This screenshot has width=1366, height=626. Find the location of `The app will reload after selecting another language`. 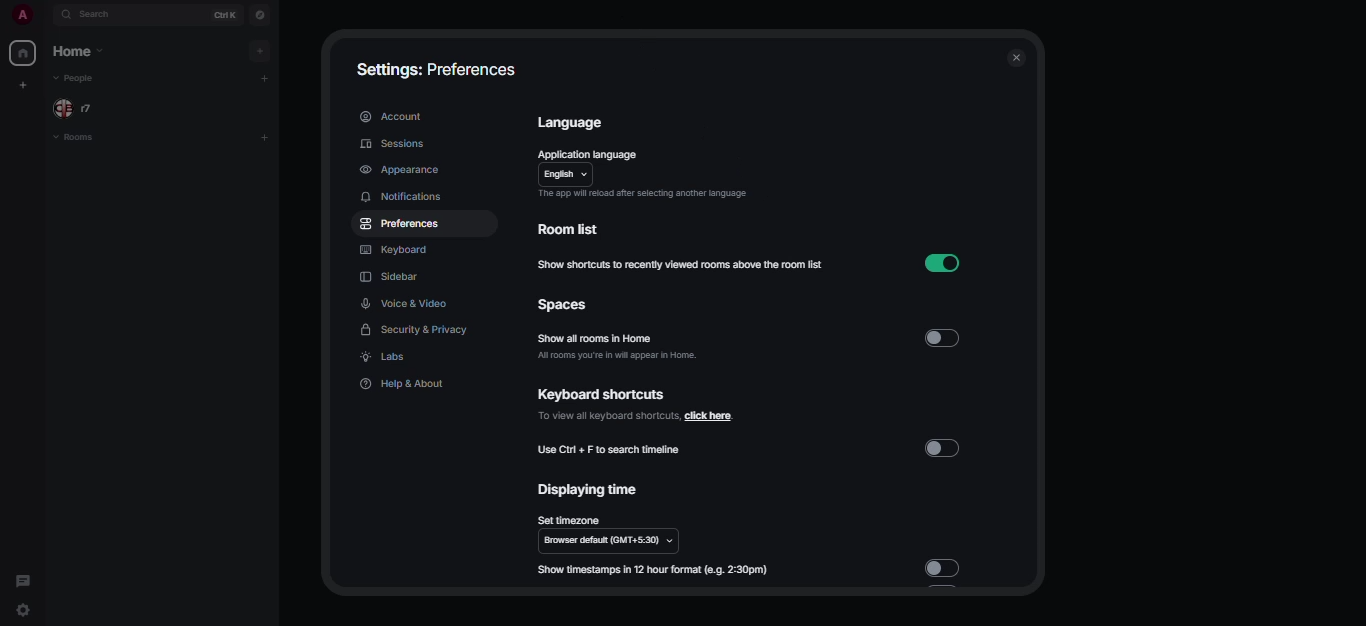

The app will reload after selecting another language is located at coordinates (640, 194).